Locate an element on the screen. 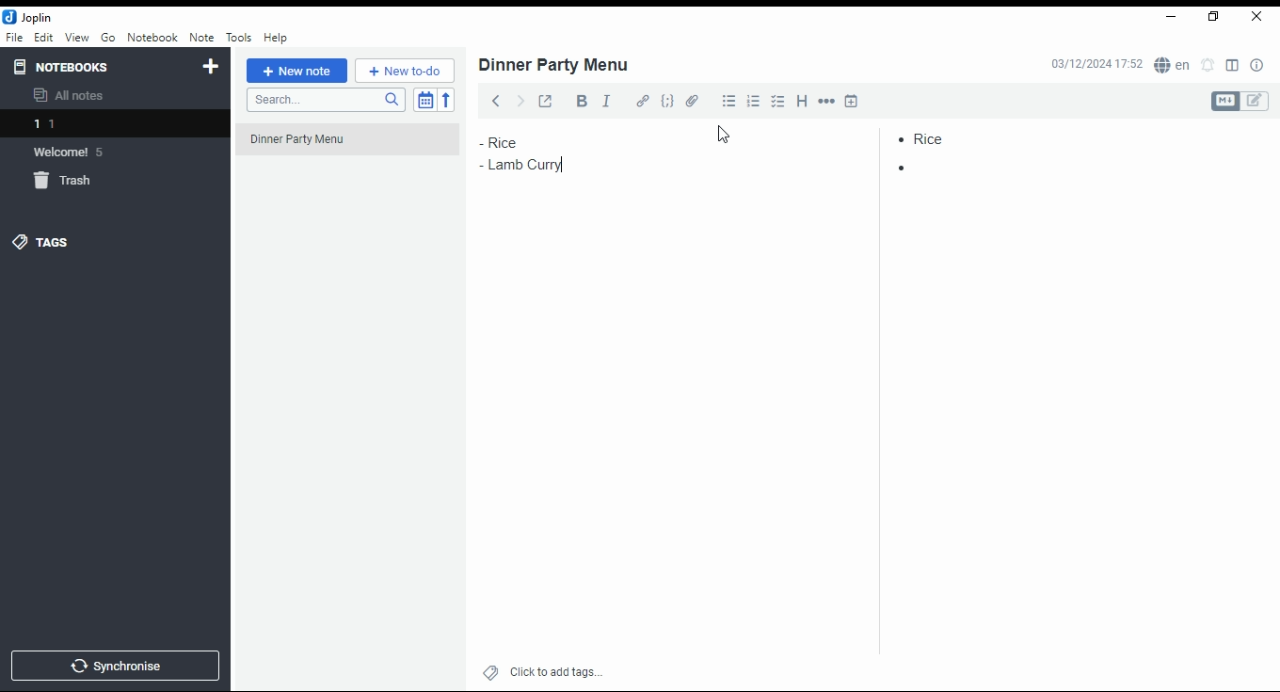 Image resolution: width=1280 pixels, height=692 pixels. maximize is located at coordinates (1214, 18).